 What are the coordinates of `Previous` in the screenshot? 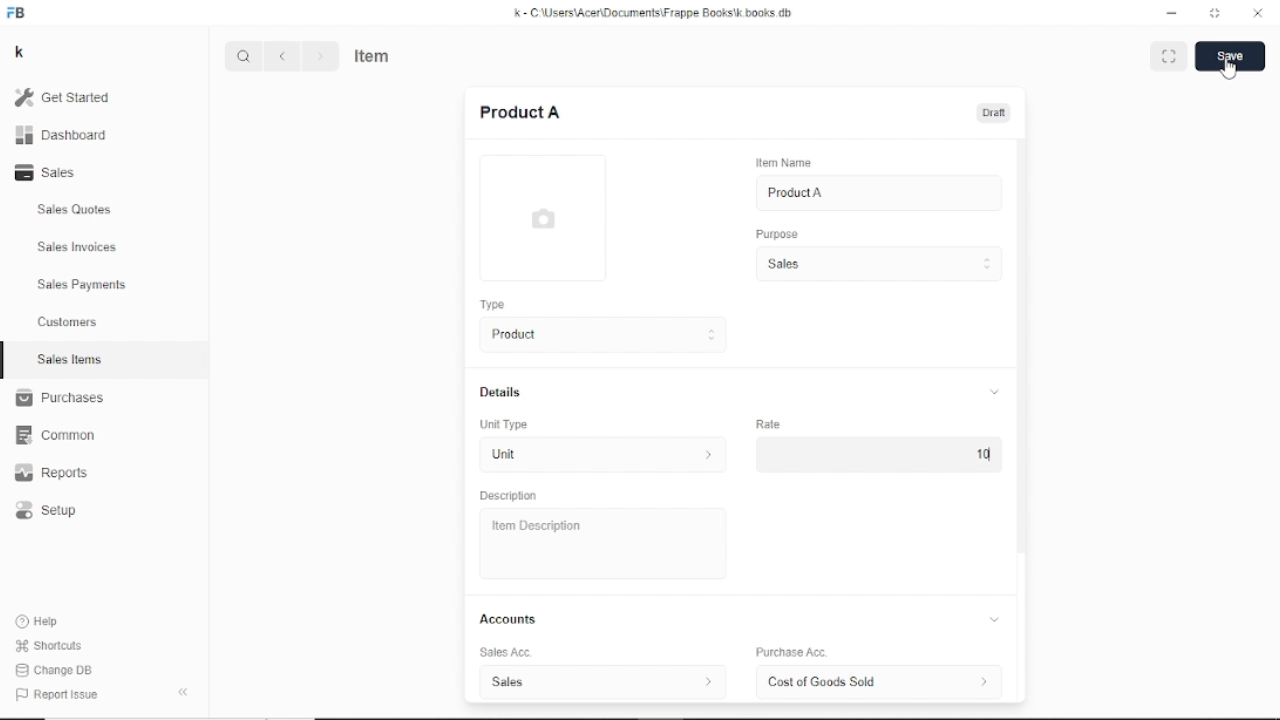 It's located at (282, 56).